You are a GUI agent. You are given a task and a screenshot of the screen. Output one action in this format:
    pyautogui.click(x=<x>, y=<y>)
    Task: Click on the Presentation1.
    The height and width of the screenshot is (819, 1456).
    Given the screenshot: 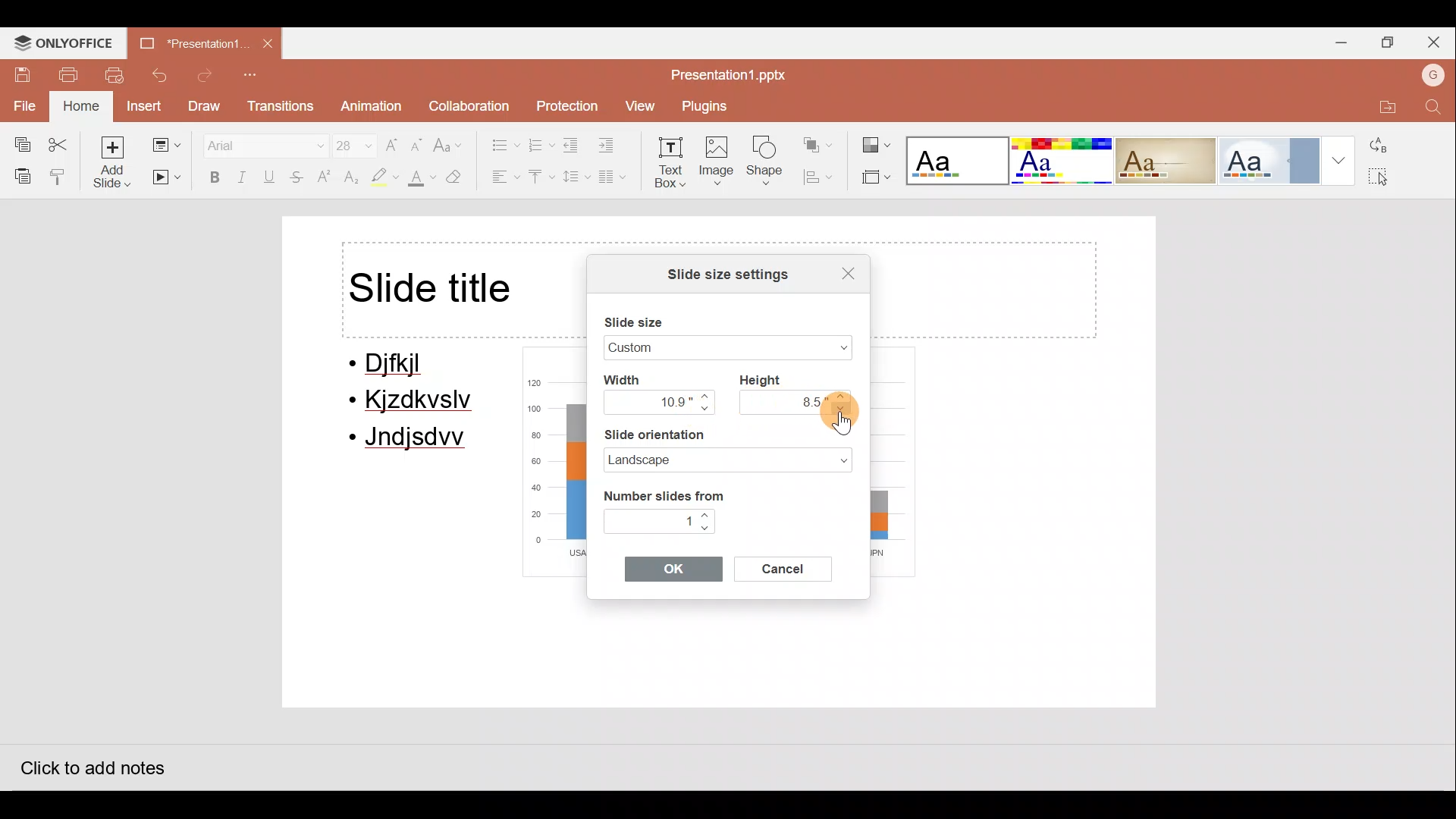 What is the action you would take?
    pyautogui.click(x=187, y=42)
    